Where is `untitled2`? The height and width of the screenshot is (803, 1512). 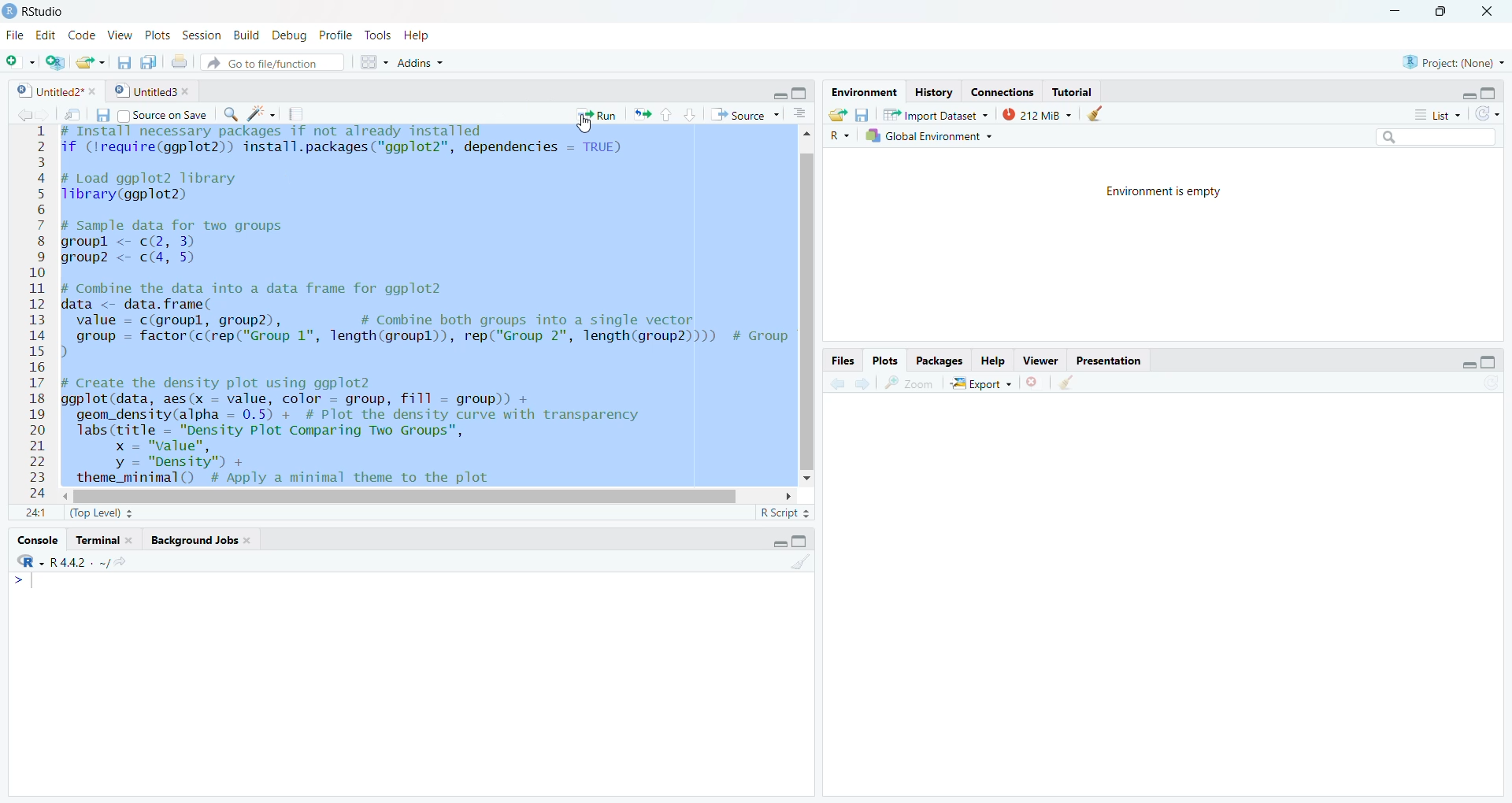
untitled2 is located at coordinates (50, 91).